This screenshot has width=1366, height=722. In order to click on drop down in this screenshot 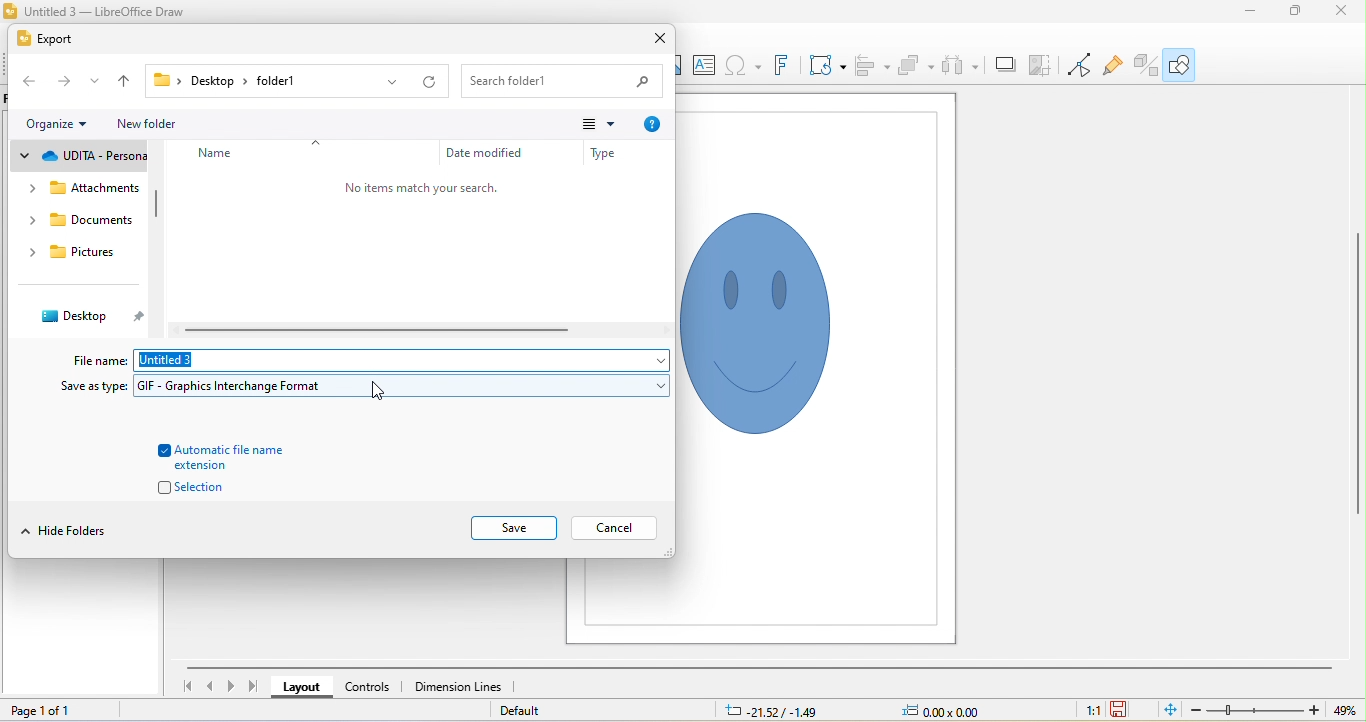, I will do `click(26, 155)`.